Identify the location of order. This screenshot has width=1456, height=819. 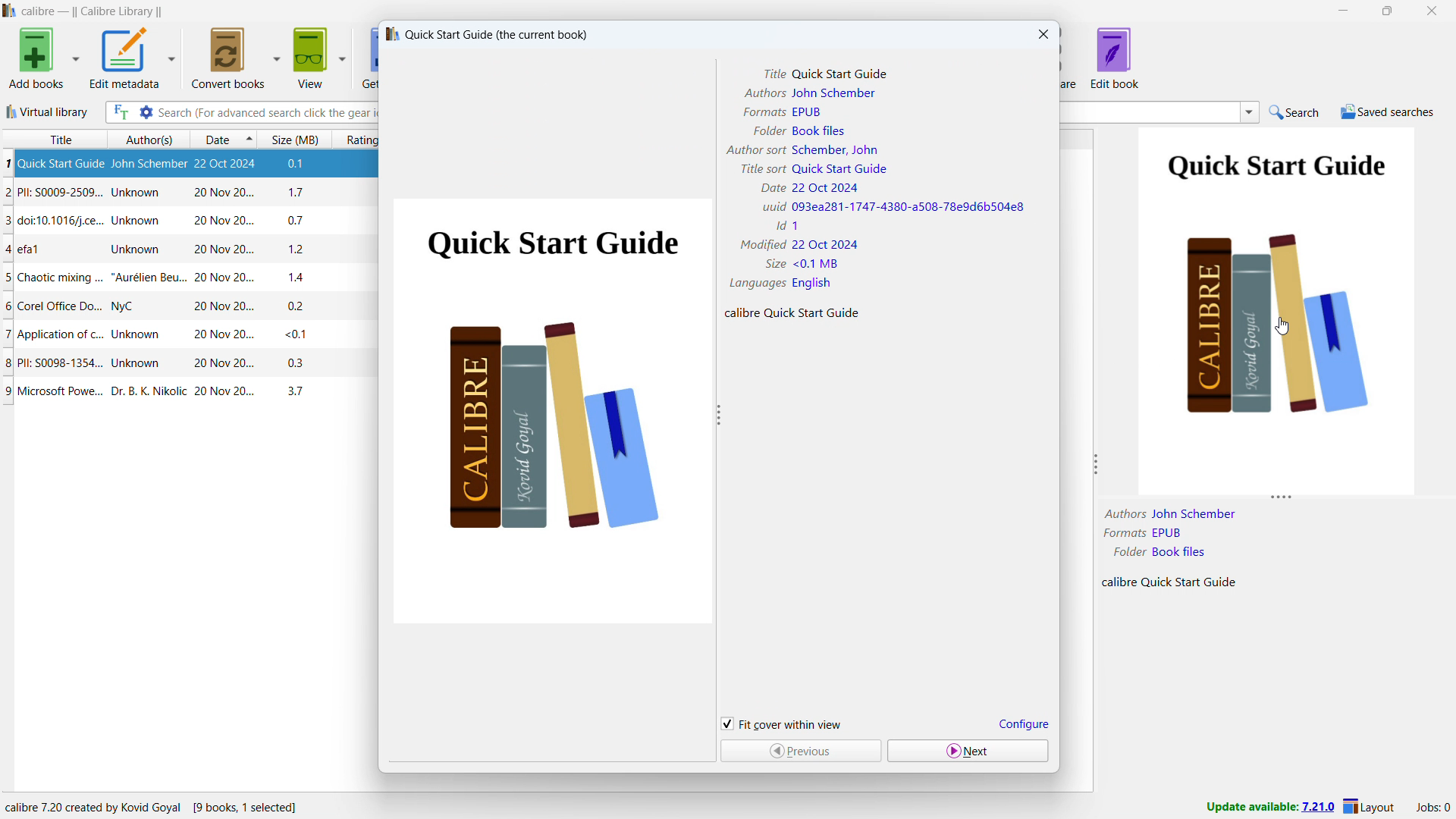
(249, 138).